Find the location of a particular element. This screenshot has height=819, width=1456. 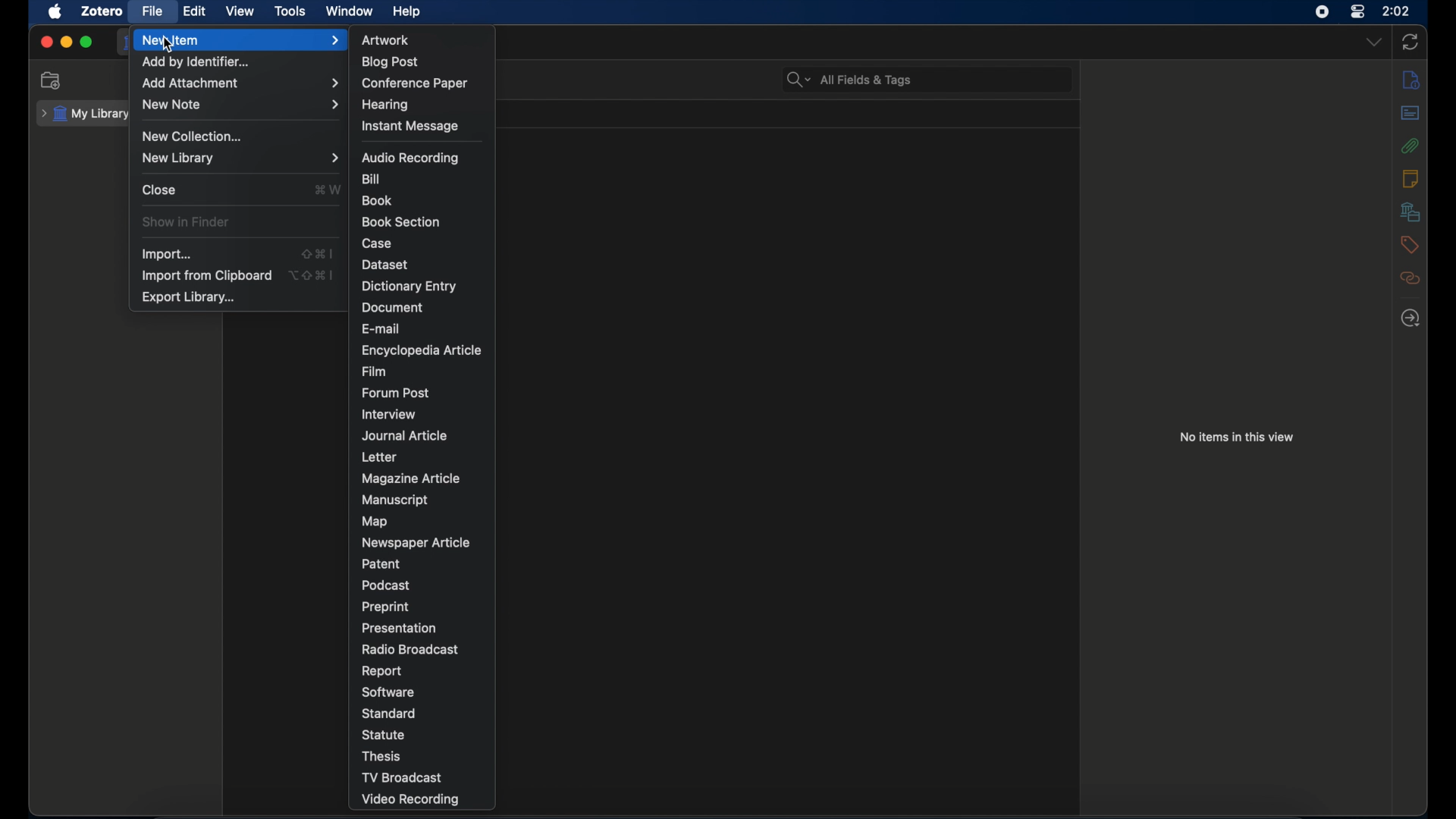

cursor is located at coordinates (169, 46).